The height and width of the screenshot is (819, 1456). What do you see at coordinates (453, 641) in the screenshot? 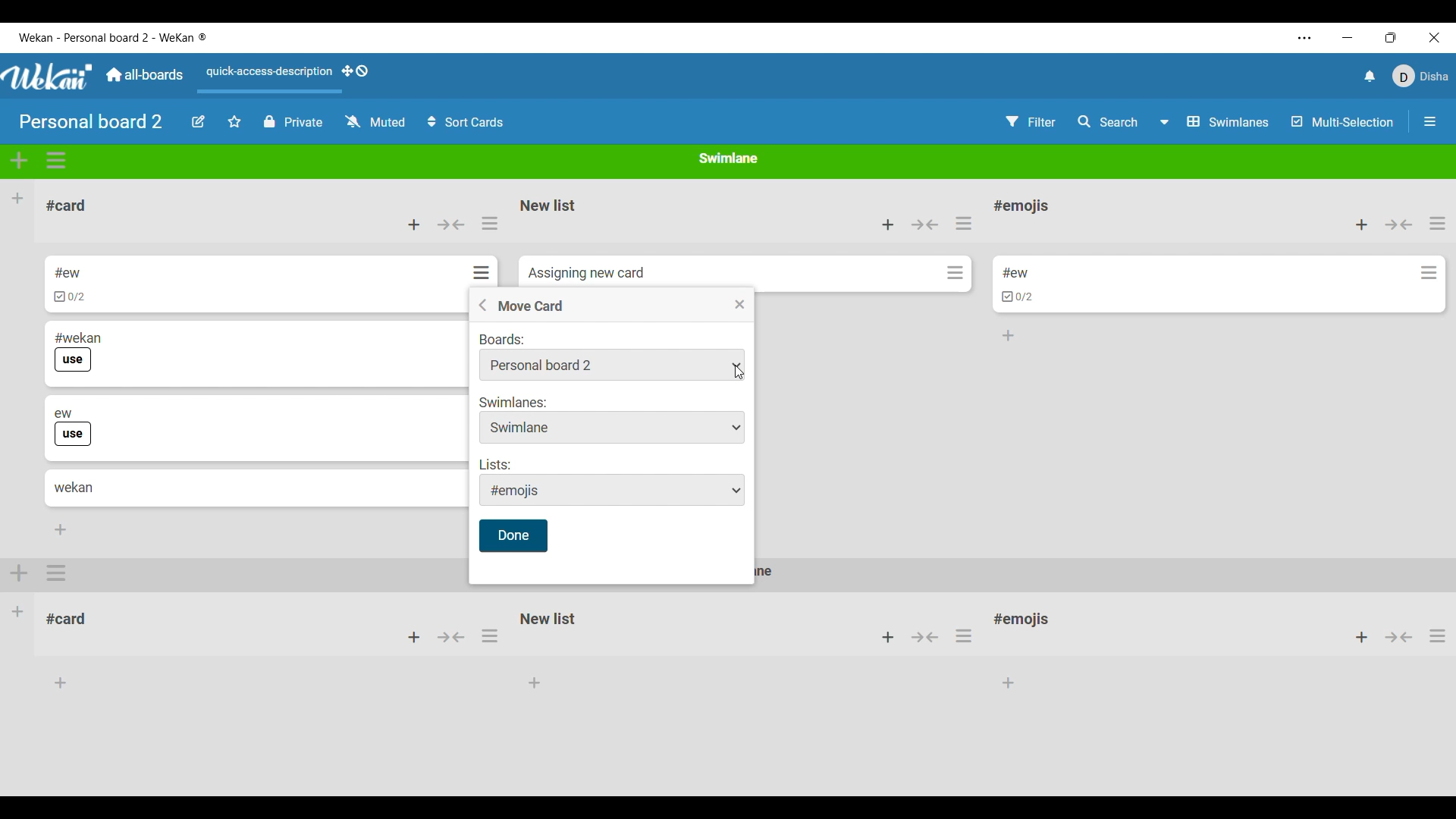
I see `button` at bounding box center [453, 641].